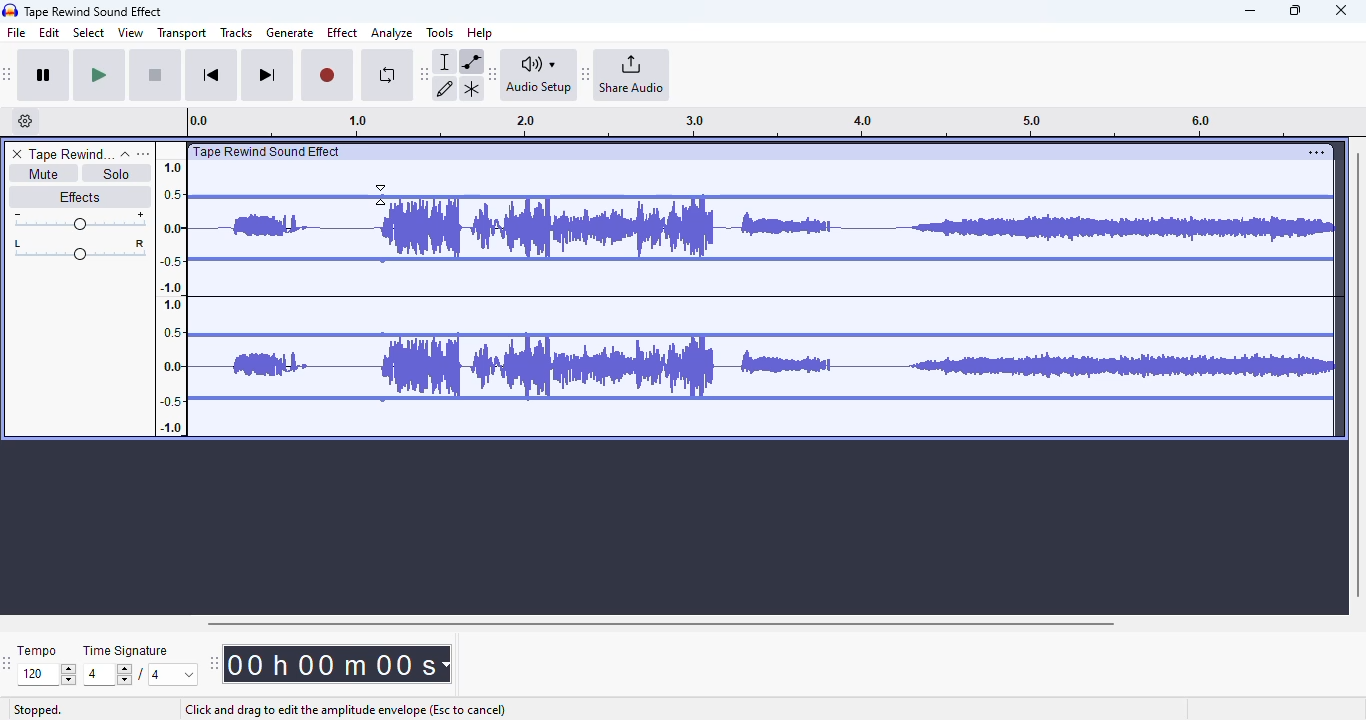 This screenshot has width=1366, height=720. What do you see at coordinates (108, 675) in the screenshot?
I see `Input for time signature` at bounding box center [108, 675].